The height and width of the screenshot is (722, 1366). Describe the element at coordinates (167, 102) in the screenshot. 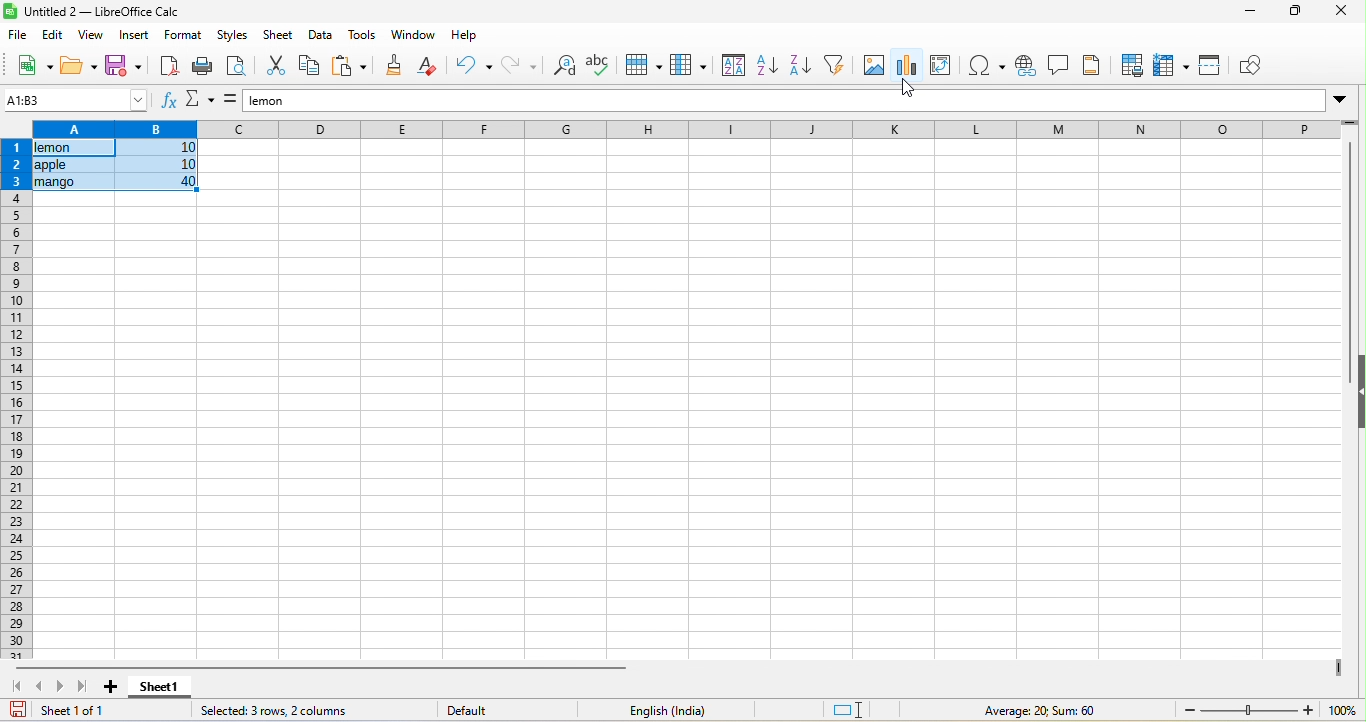

I see `function wizard` at that location.